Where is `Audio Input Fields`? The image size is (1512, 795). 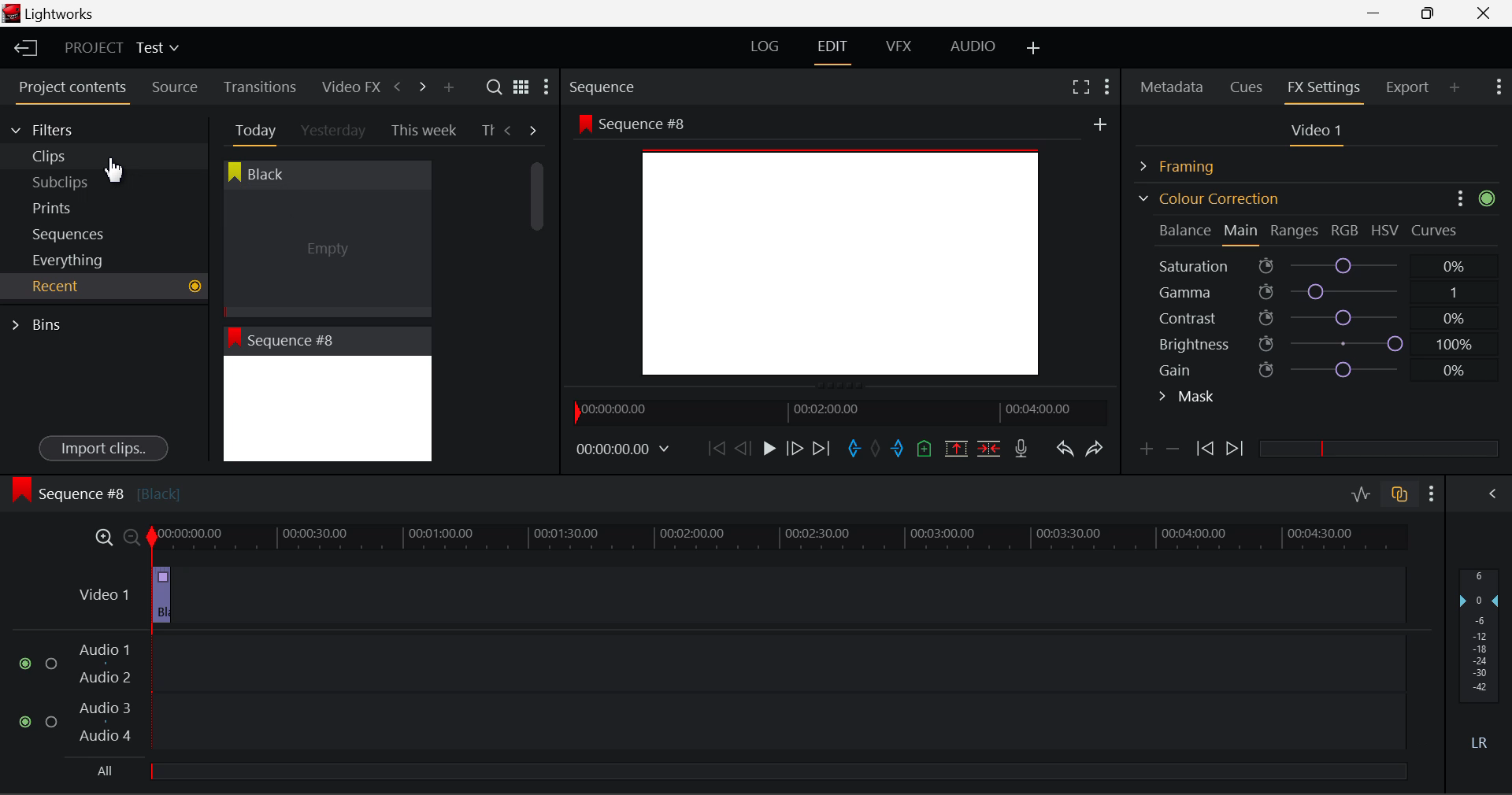
Audio Input Fields is located at coordinates (712, 694).